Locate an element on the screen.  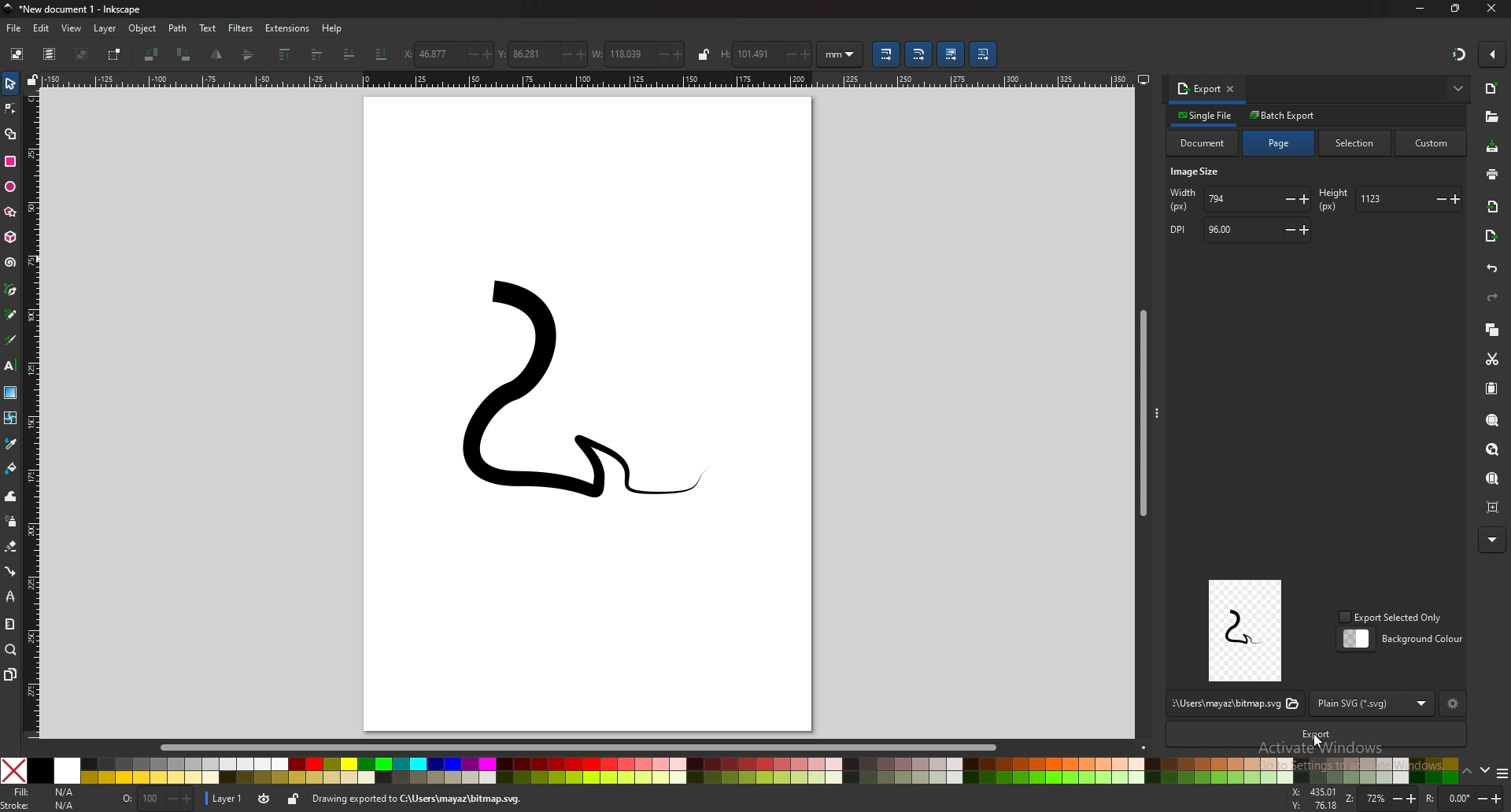
connector is located at coordinates (10, 570).